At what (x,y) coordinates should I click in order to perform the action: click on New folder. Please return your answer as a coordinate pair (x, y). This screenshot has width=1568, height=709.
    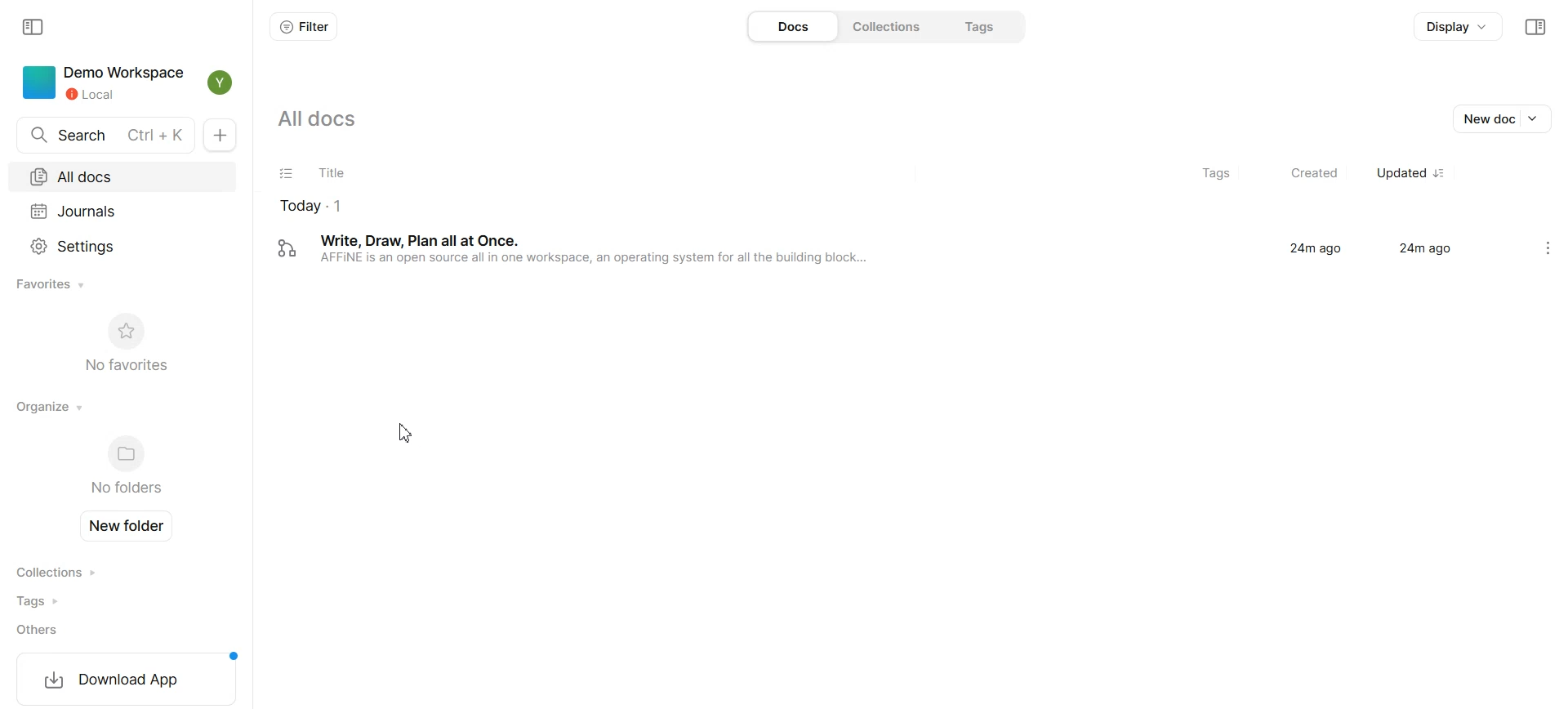
    Looking at the image, I should click on (131, 526).